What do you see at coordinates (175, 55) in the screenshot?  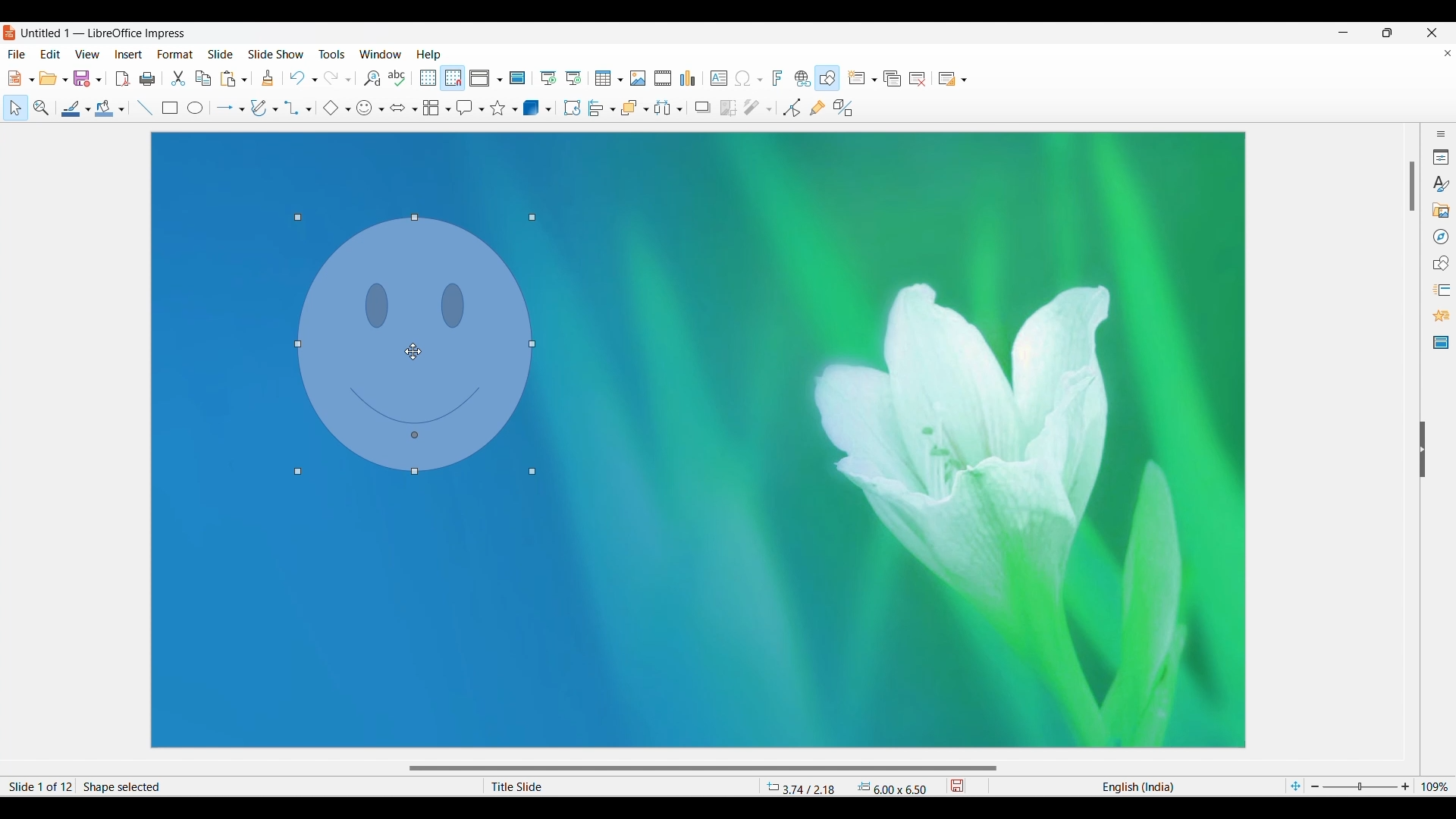 I see `Format` at bounding box center [175, 55].